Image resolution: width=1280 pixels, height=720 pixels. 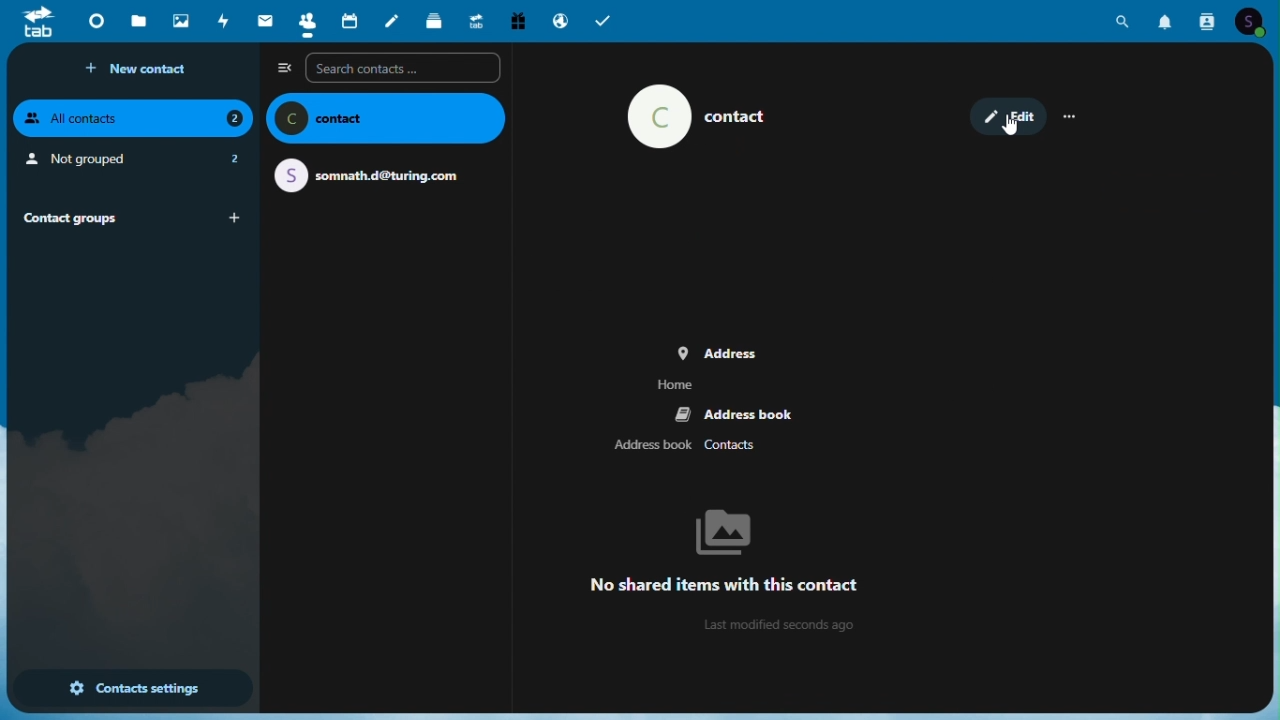 What do you see at coordinates (1075, 119) in the screenshot?
I see `more` at bounding box center [1075, 119].